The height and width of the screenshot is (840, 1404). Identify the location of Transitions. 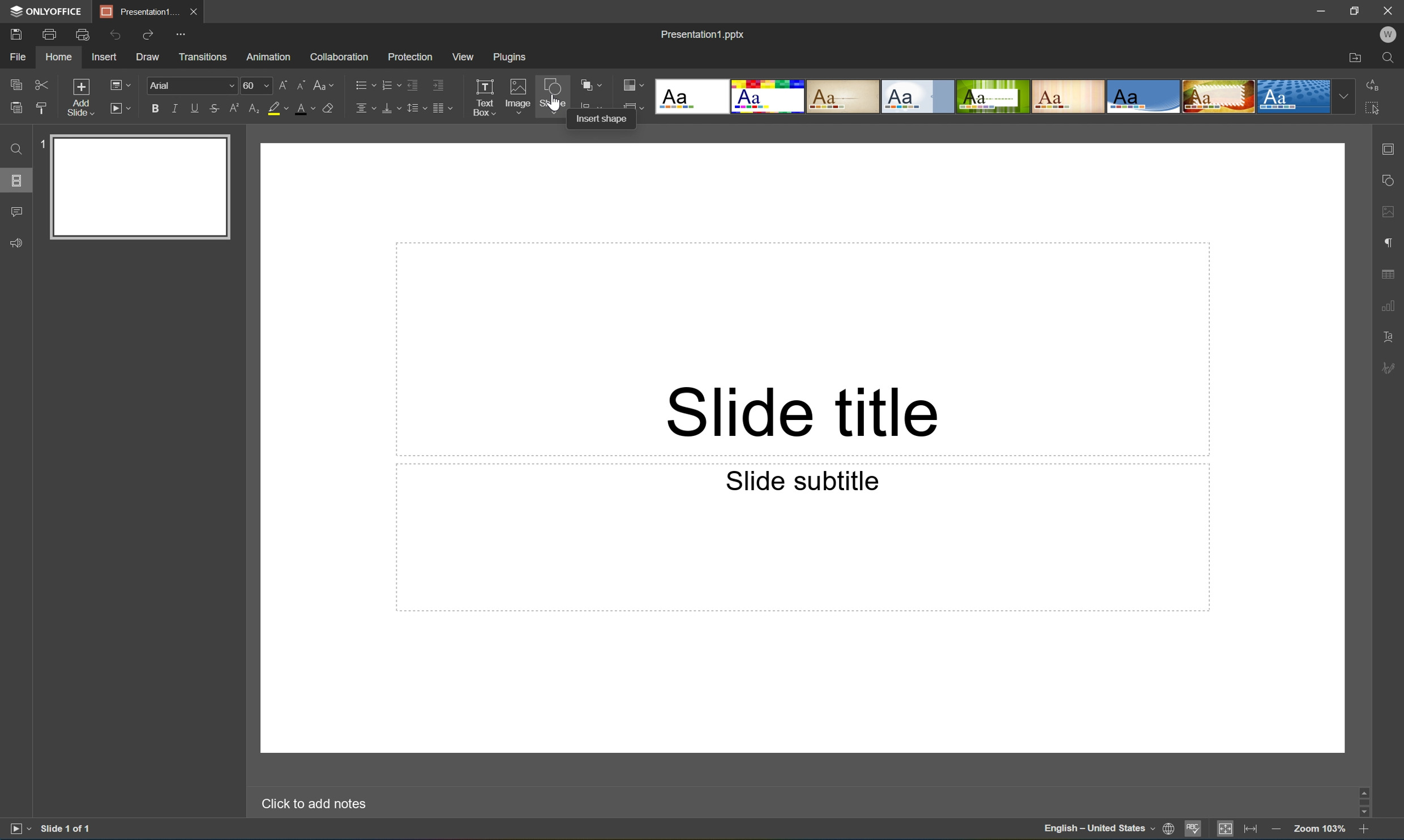
(201, 57).